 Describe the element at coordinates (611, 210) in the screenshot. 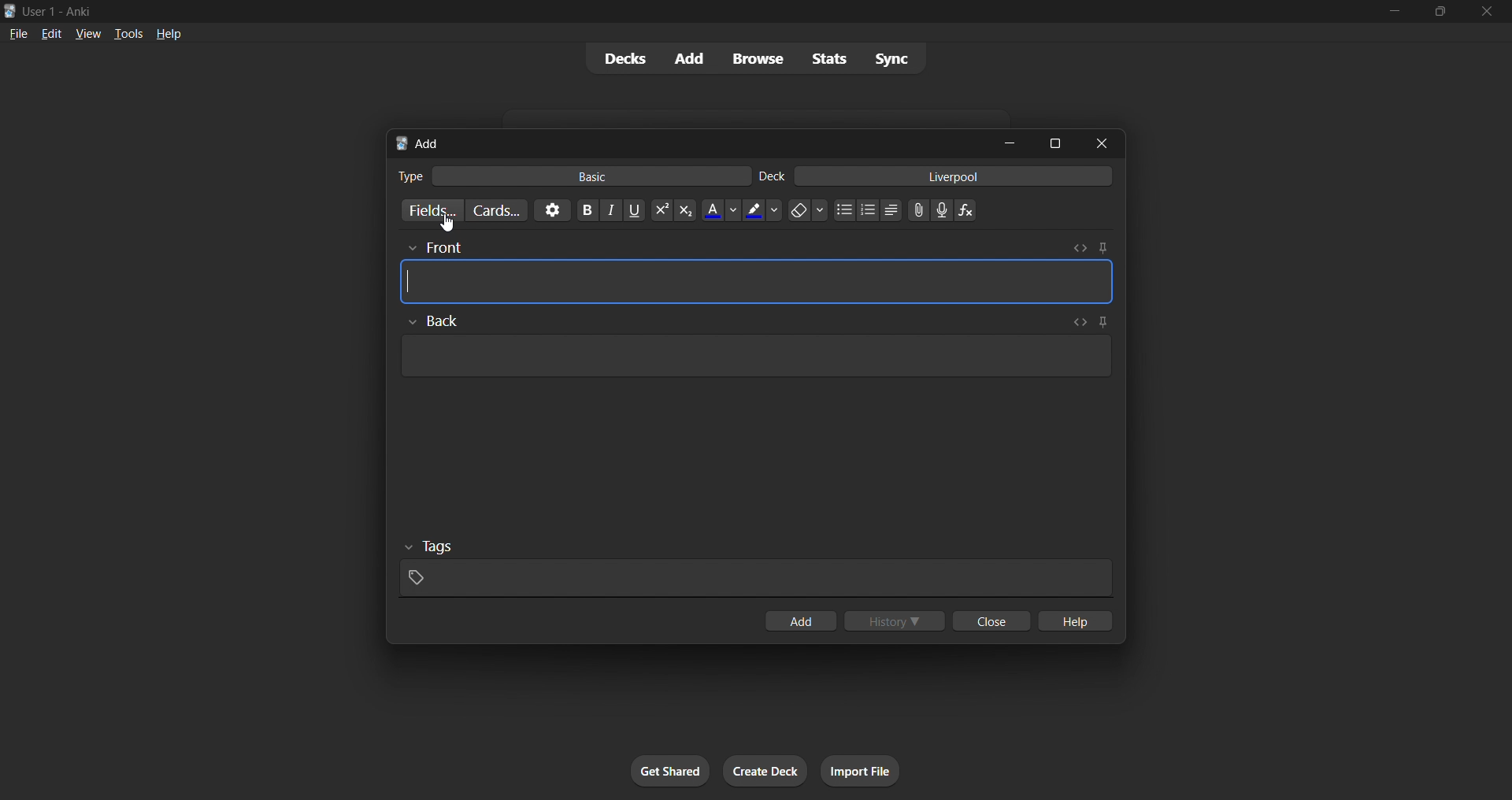

I see `Italics` at that location.